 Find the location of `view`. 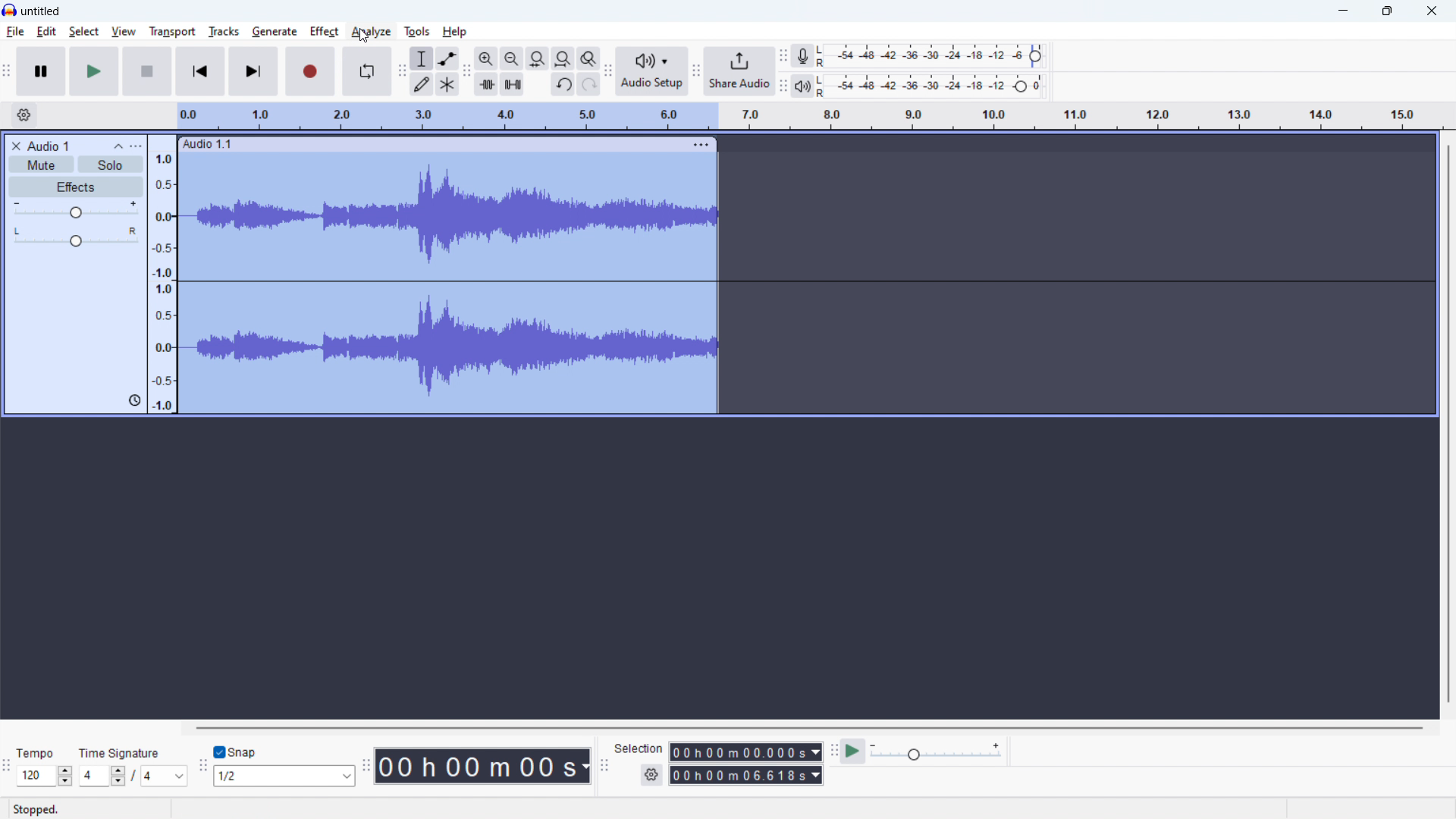

view is located at coordinates (124, 32).